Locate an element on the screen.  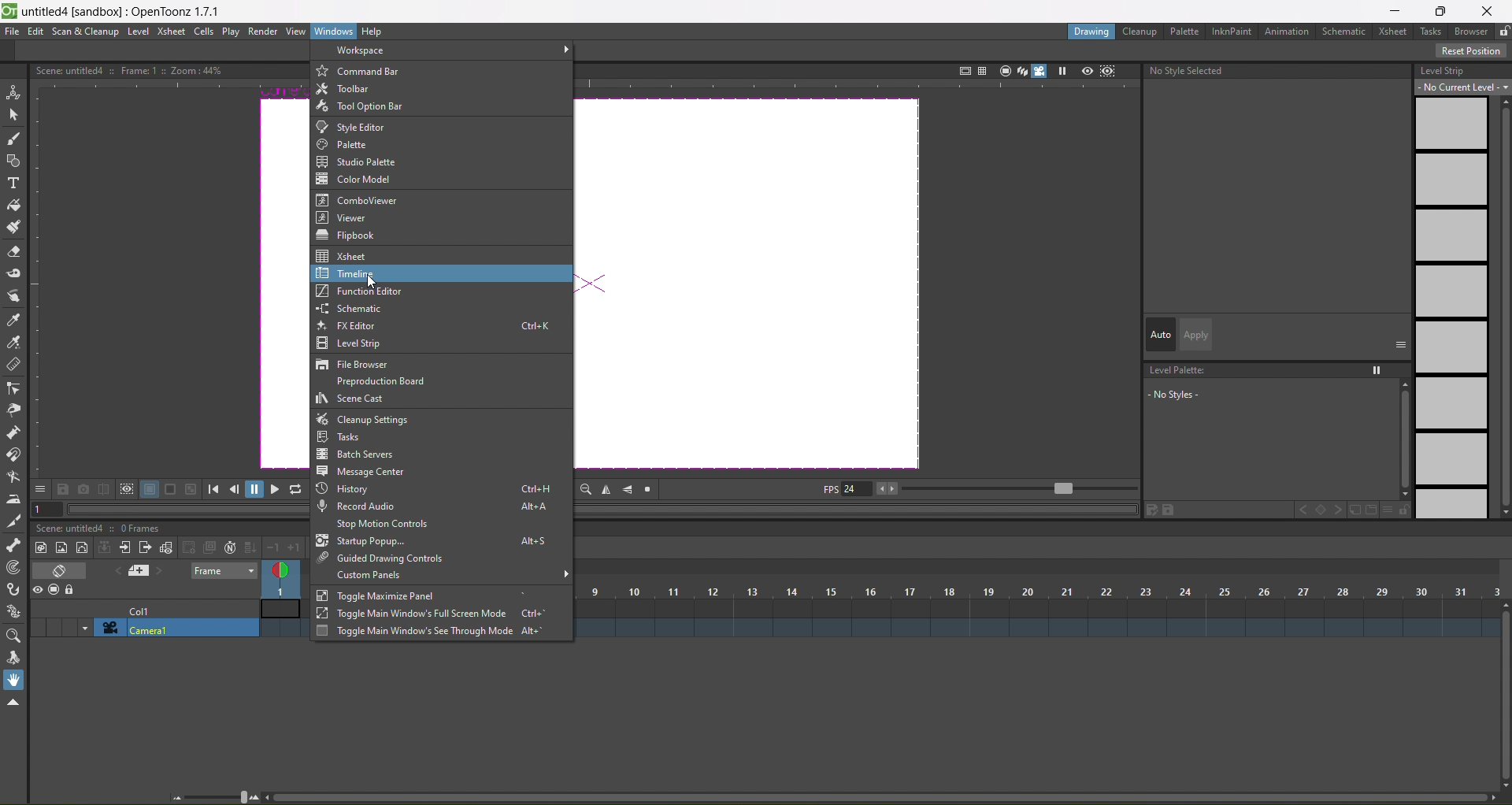
fill in empty cells is located at coordinates (249, 547).